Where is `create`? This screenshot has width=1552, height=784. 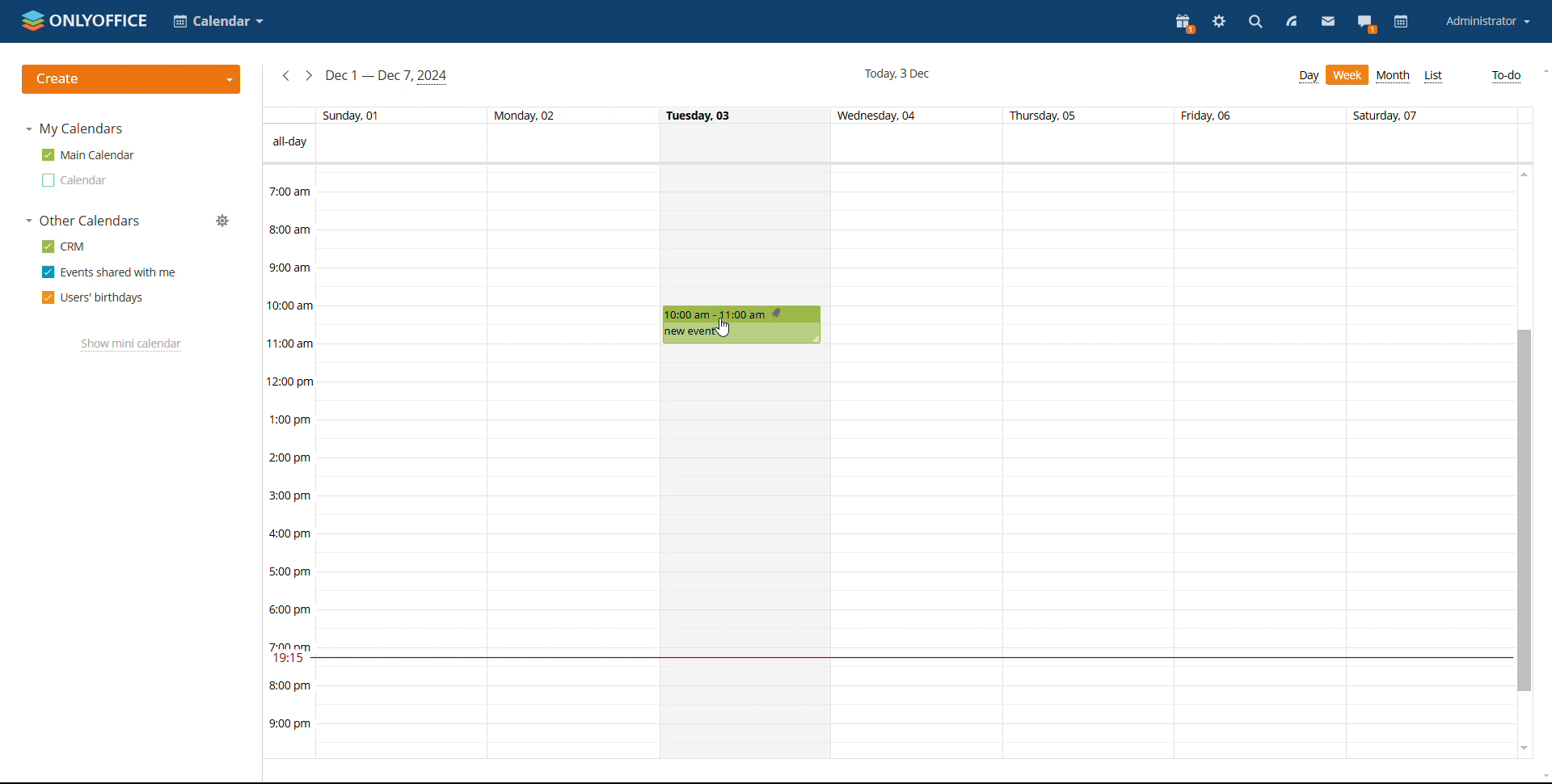
create is located at coordinates (132, 79).